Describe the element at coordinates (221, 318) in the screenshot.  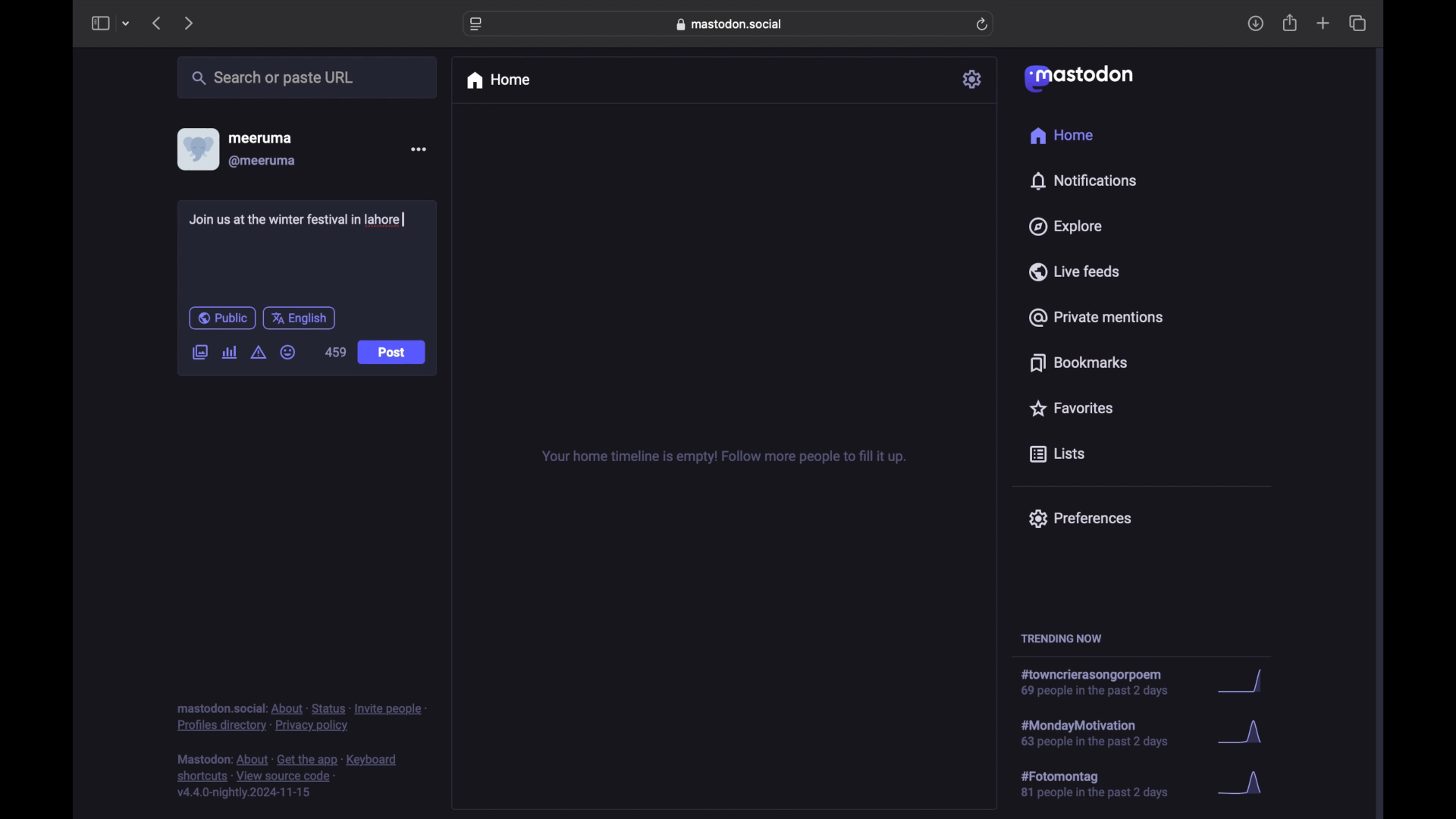
I see `public` at that location.